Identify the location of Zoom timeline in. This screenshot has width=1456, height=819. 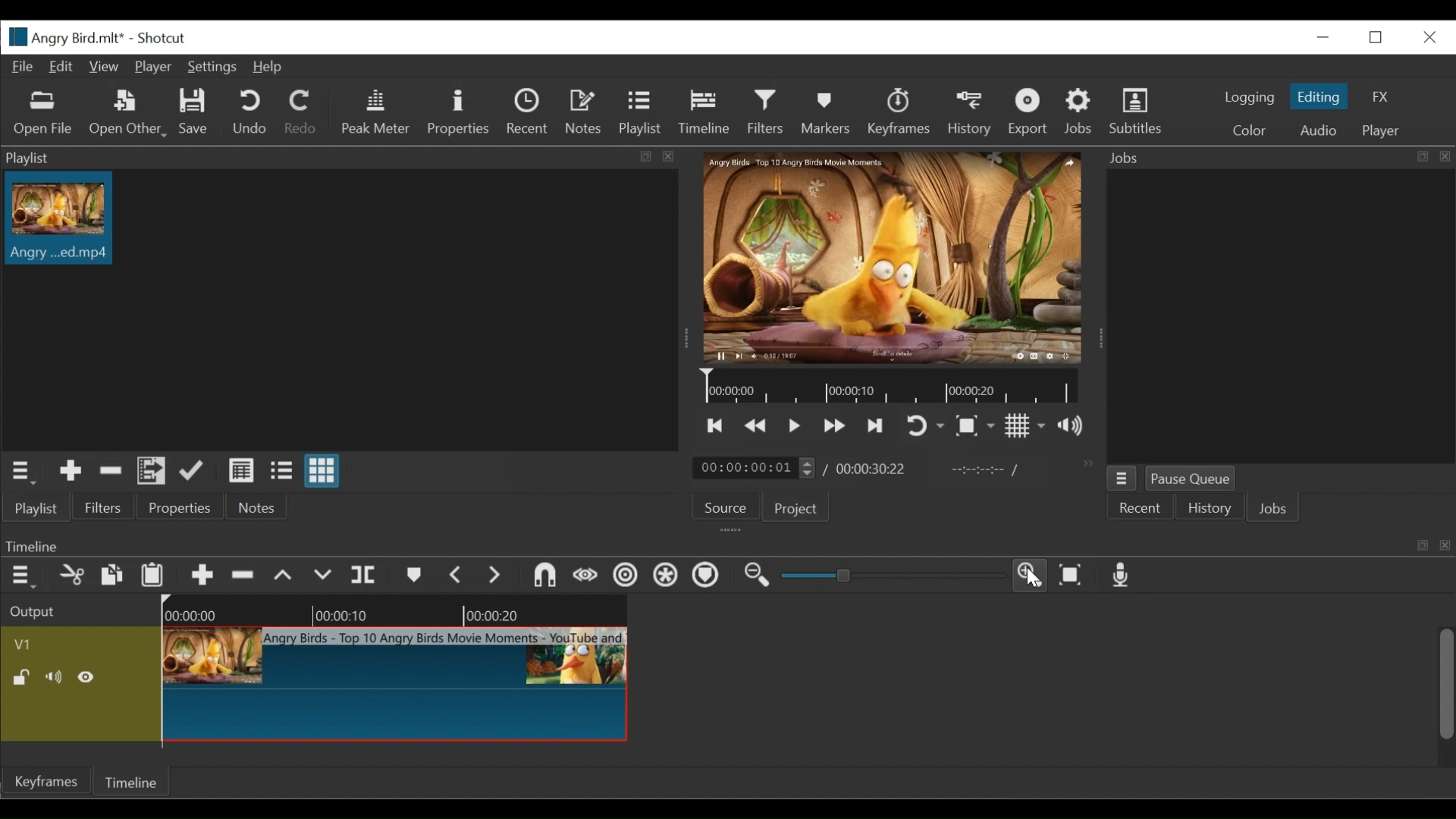
(1031, 575).